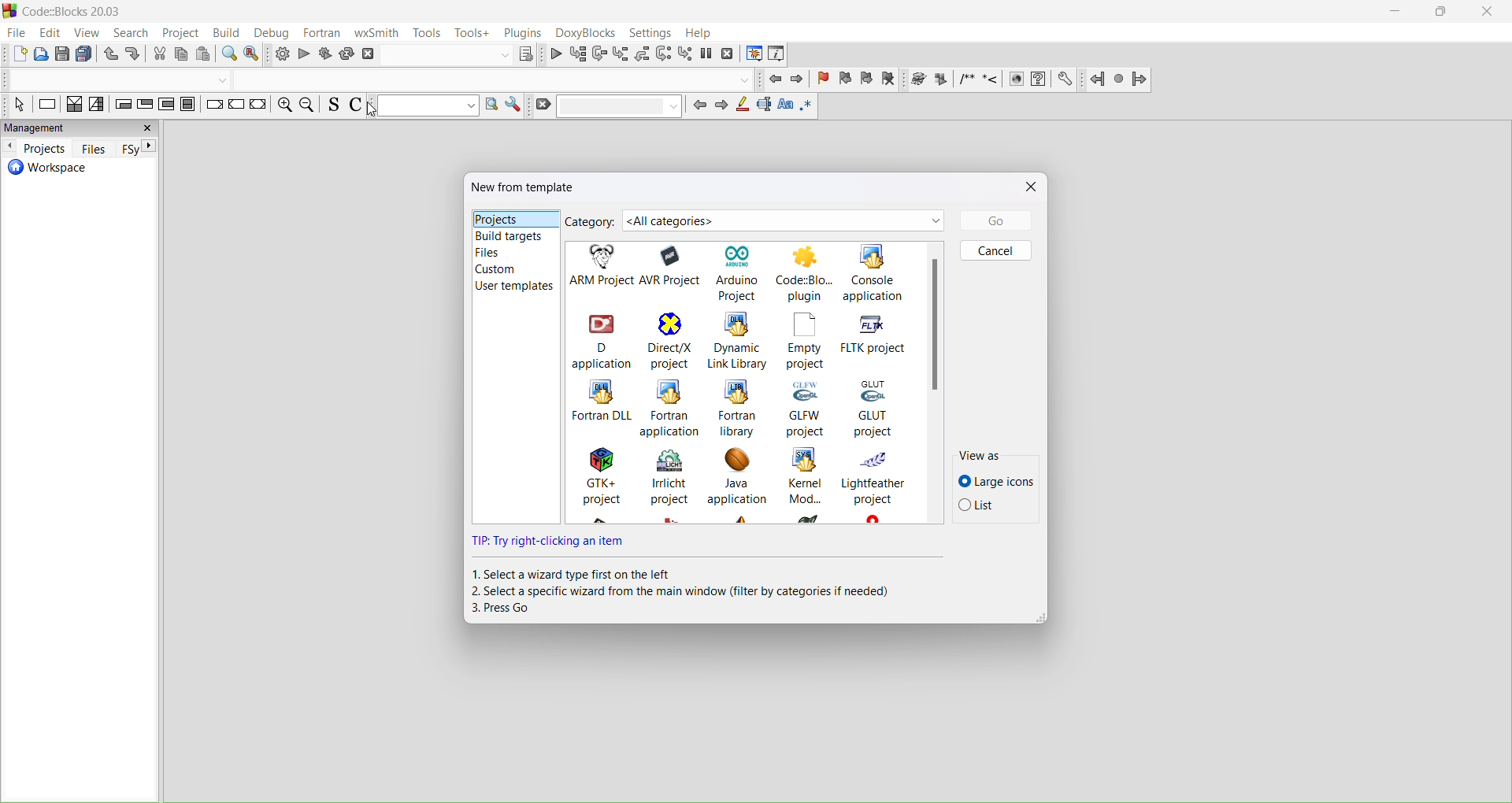 The height and width of the screenshot is (803, 1512). I want to click on GTK+ project, so click(595, 486).